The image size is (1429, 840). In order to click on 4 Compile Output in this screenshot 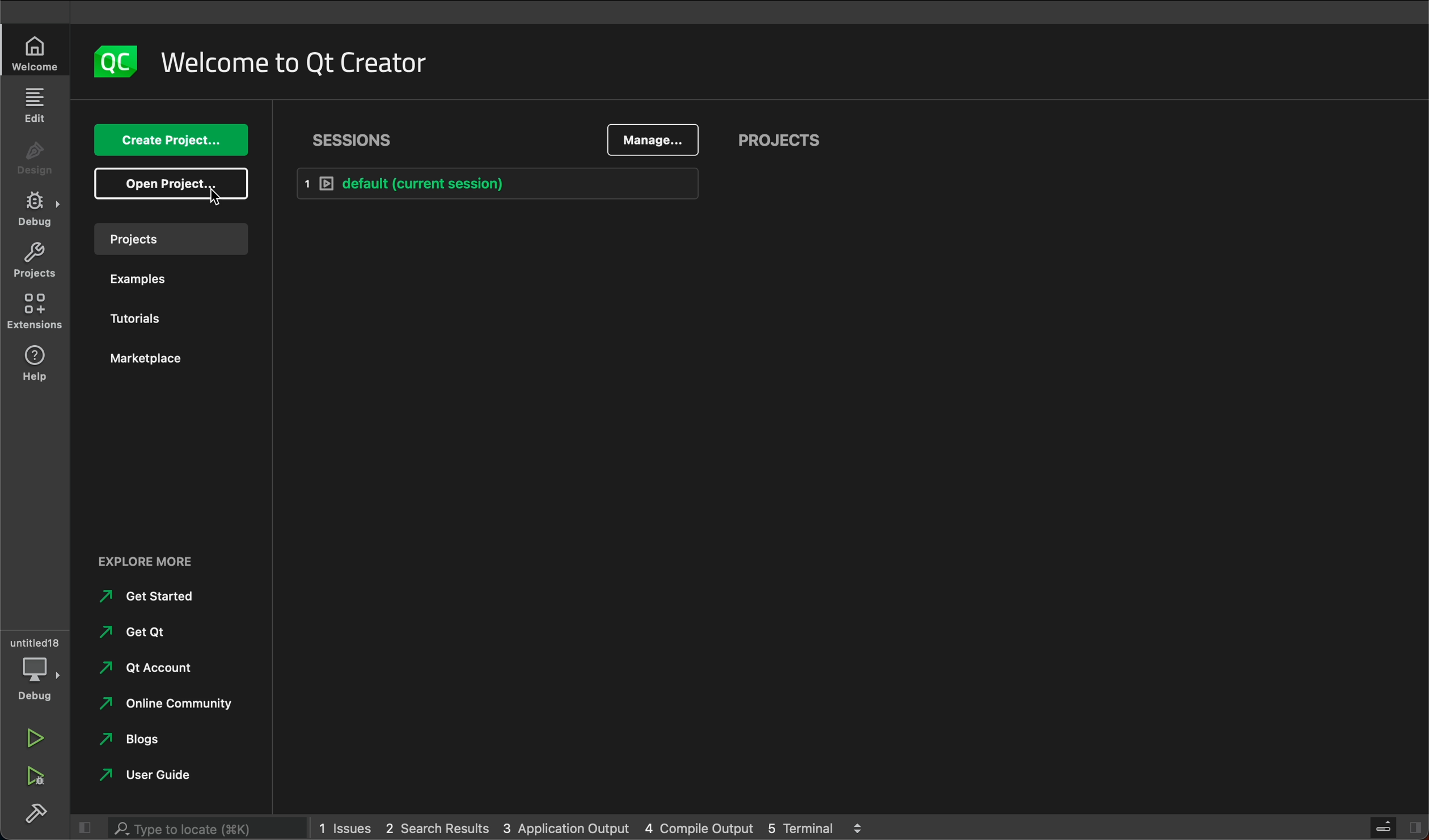, I will do `click(698, 828)`.